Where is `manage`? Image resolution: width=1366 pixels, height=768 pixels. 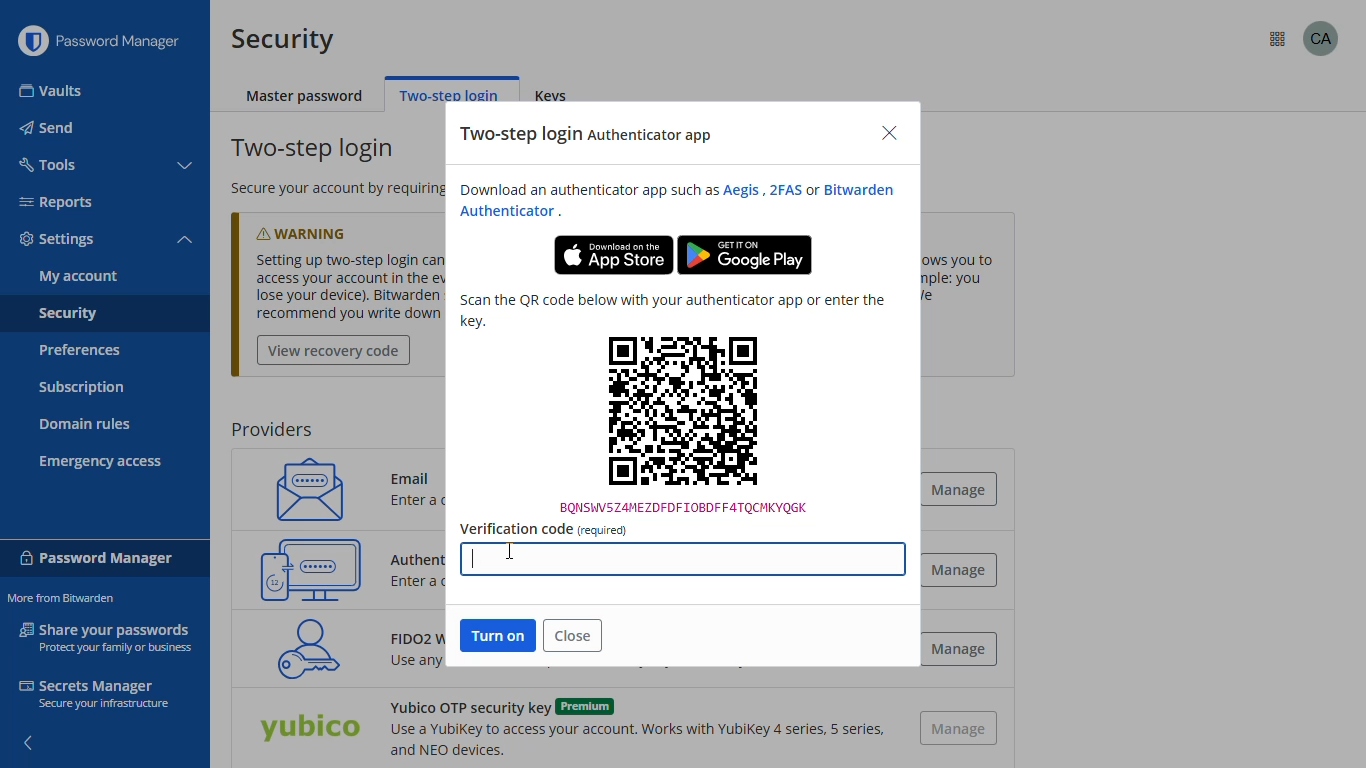
manage is located at coordinates (965, 489).